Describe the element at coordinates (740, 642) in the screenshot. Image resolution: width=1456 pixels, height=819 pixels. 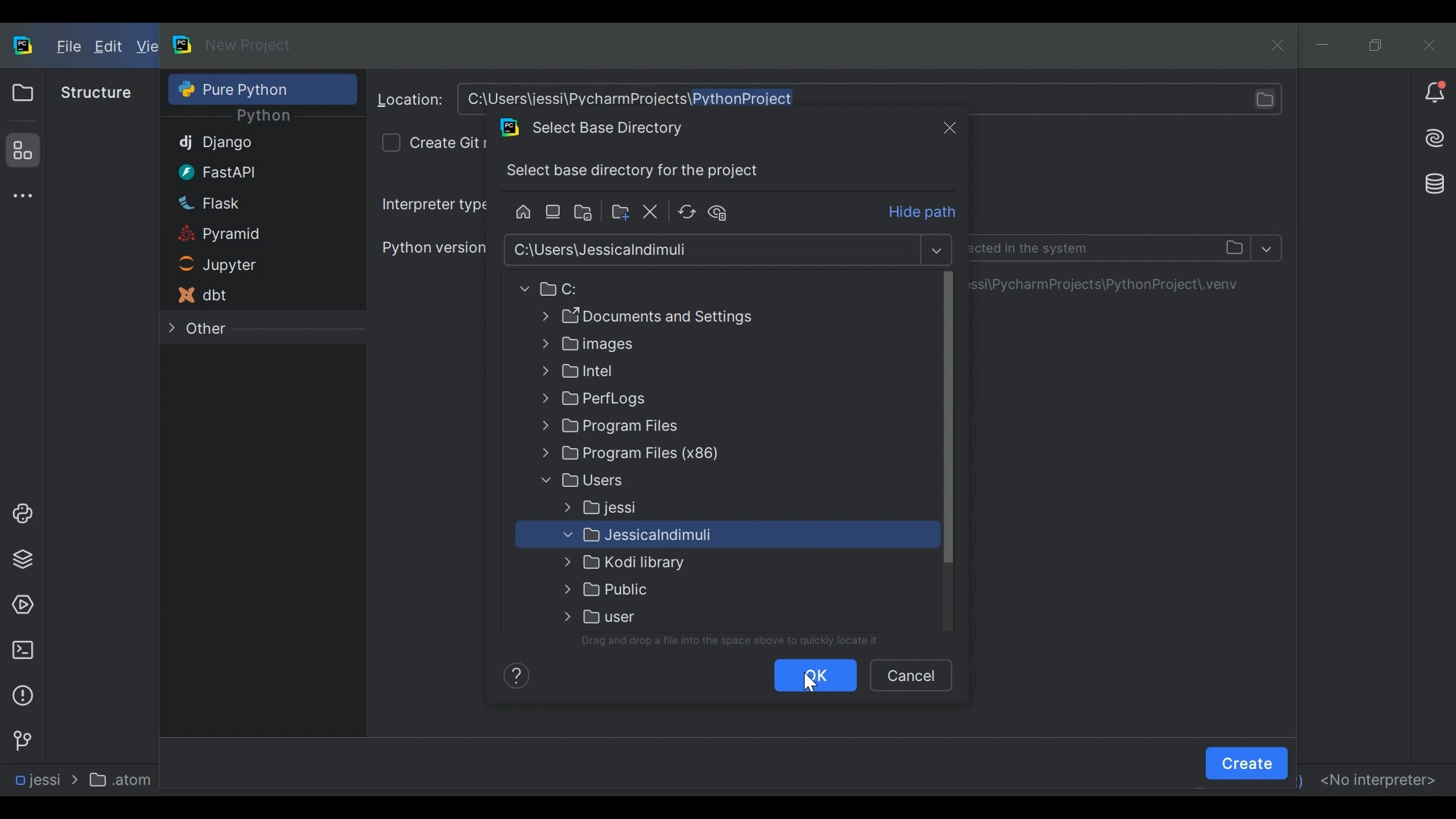
I see `Text` at that location.